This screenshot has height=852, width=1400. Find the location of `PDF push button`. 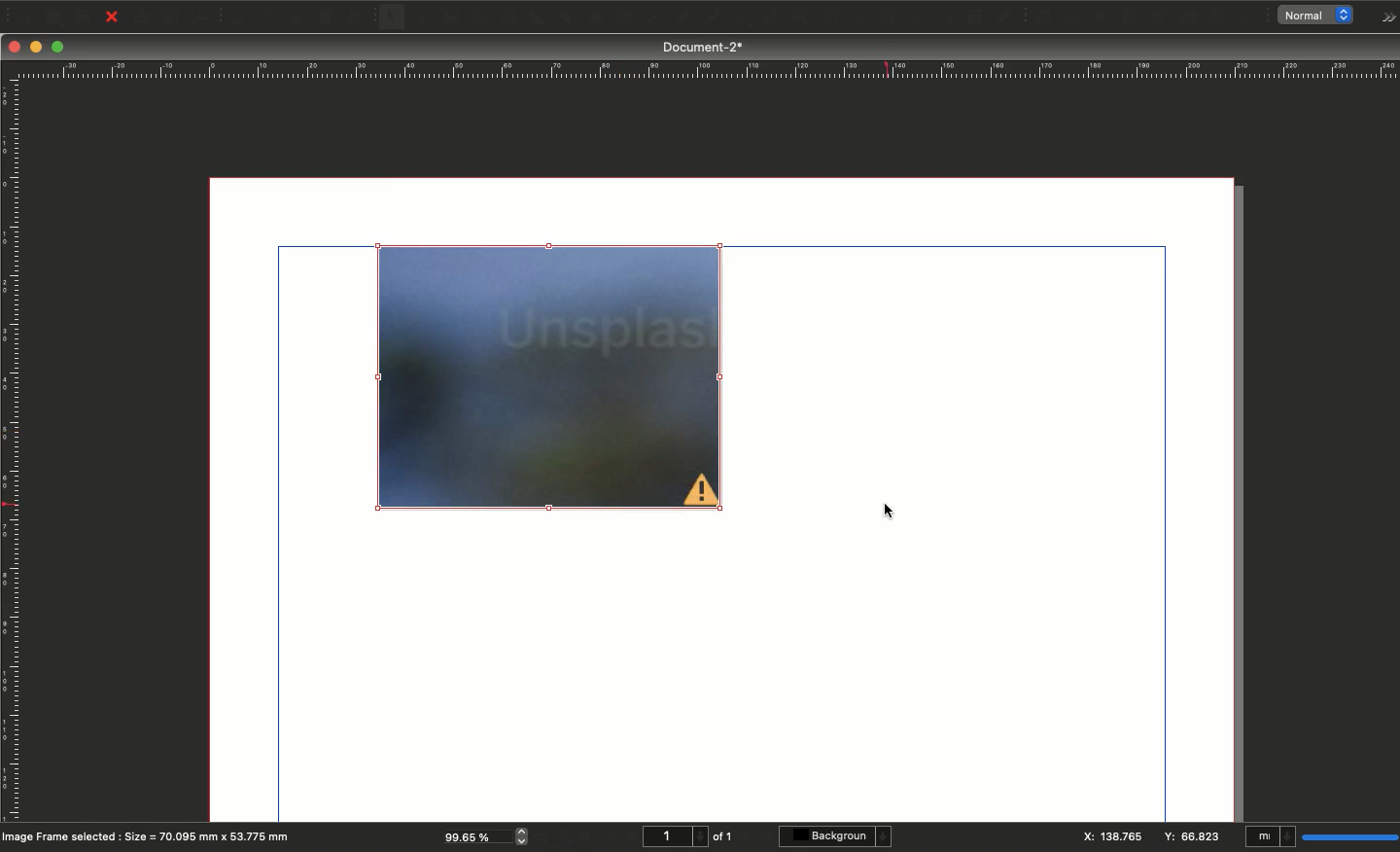

PDF push button is located at coordinates (1040, 17).